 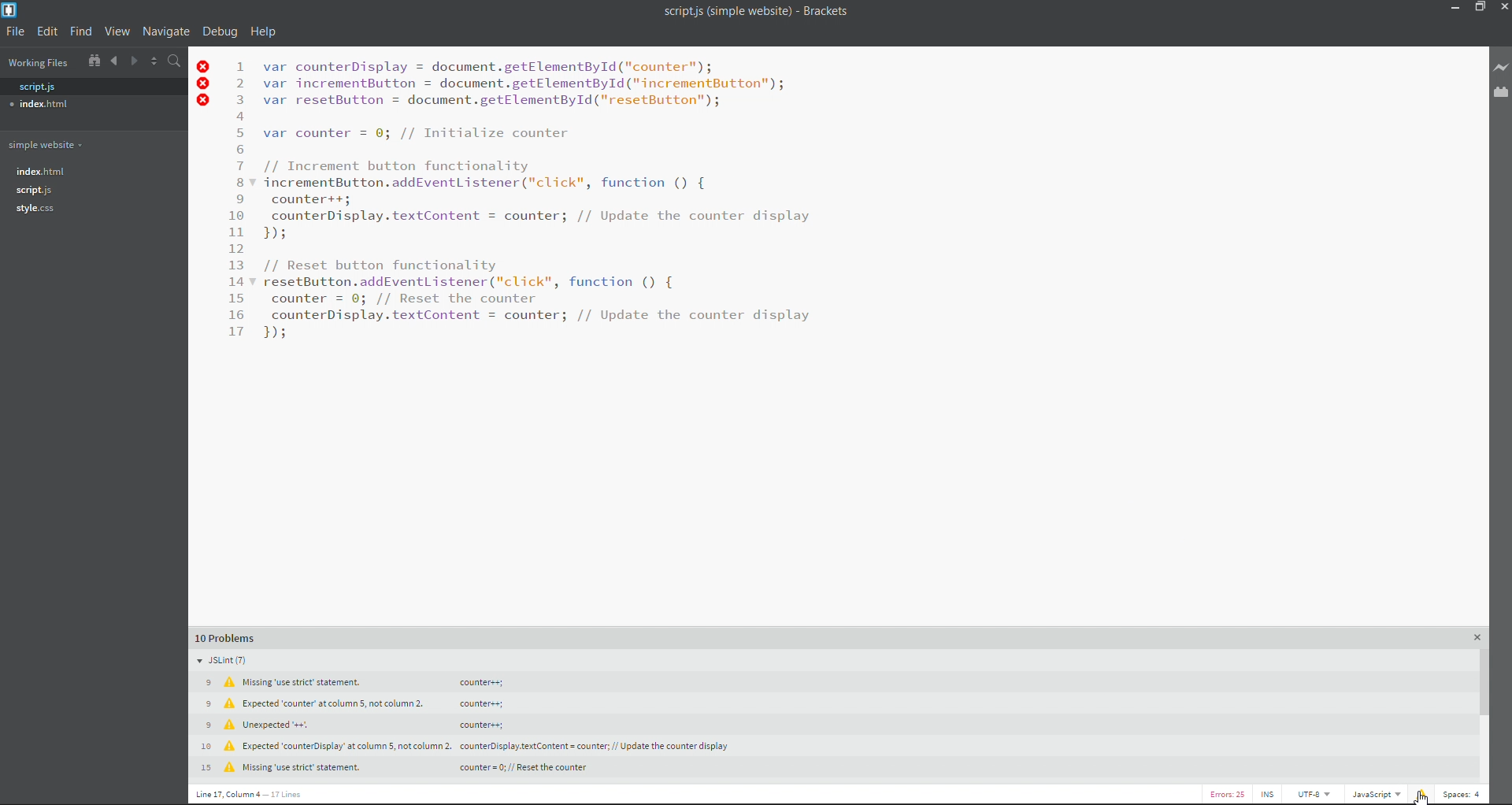 What do you see at coordinates (1502, 95) in the screenshot?
I see `extension manager` at bounding box center [1502, 95].